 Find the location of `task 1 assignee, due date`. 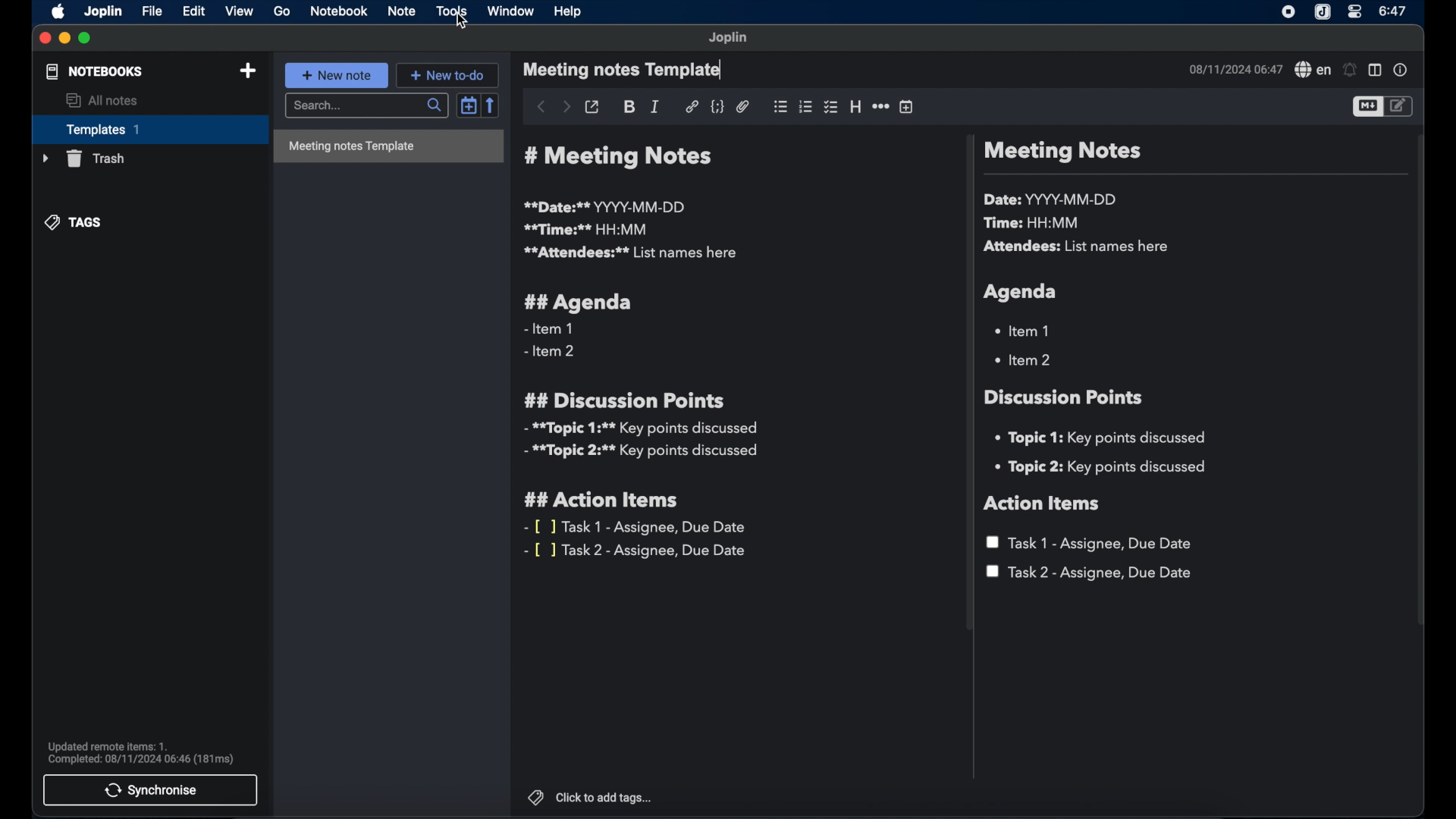

task 1 assignee, due date is located at coordinates (1092, 543).